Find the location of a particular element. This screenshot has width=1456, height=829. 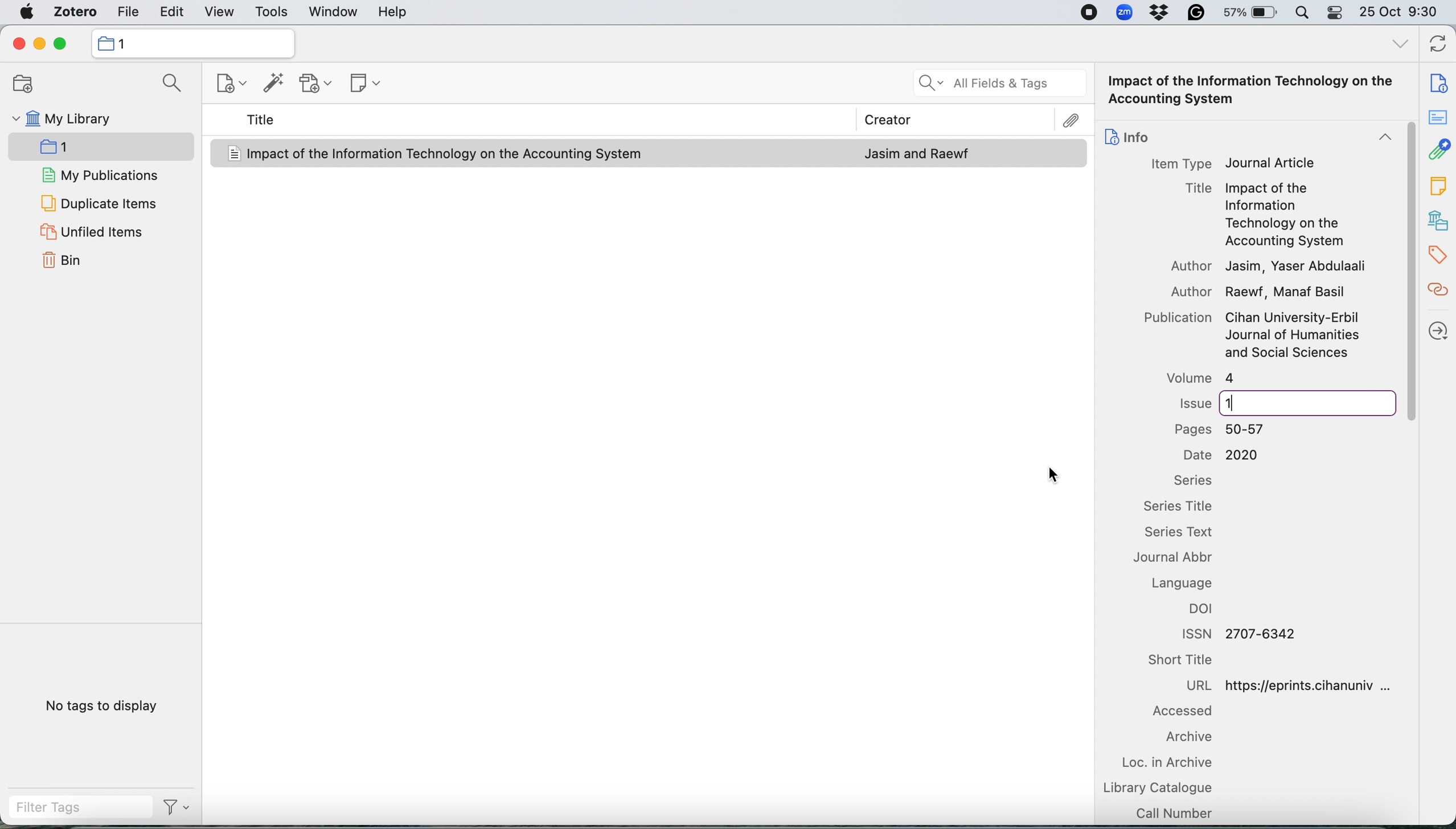

item type  is located at coordinates (1180, 163).